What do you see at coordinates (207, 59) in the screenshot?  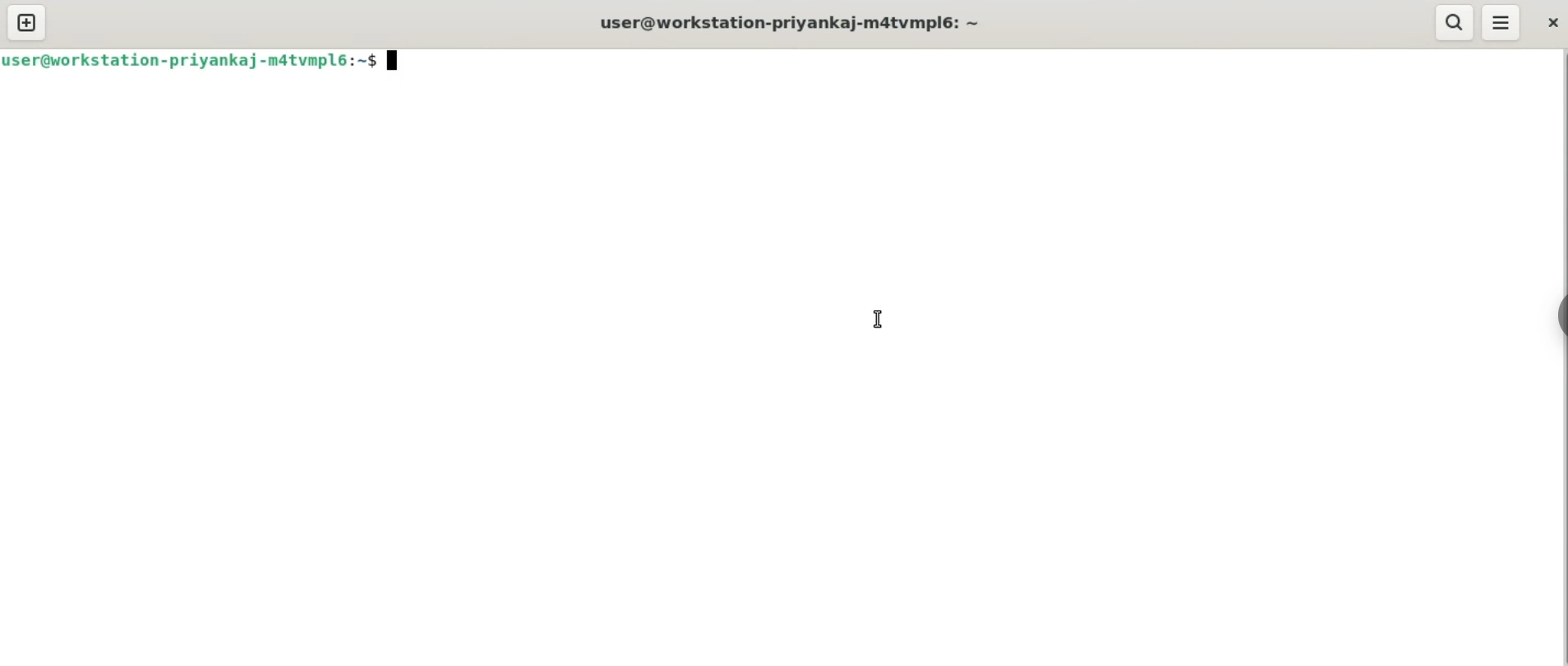 I see ` user@workstation-priyanka-m4tvmpl6:~$` at bounding box center [207, 59].